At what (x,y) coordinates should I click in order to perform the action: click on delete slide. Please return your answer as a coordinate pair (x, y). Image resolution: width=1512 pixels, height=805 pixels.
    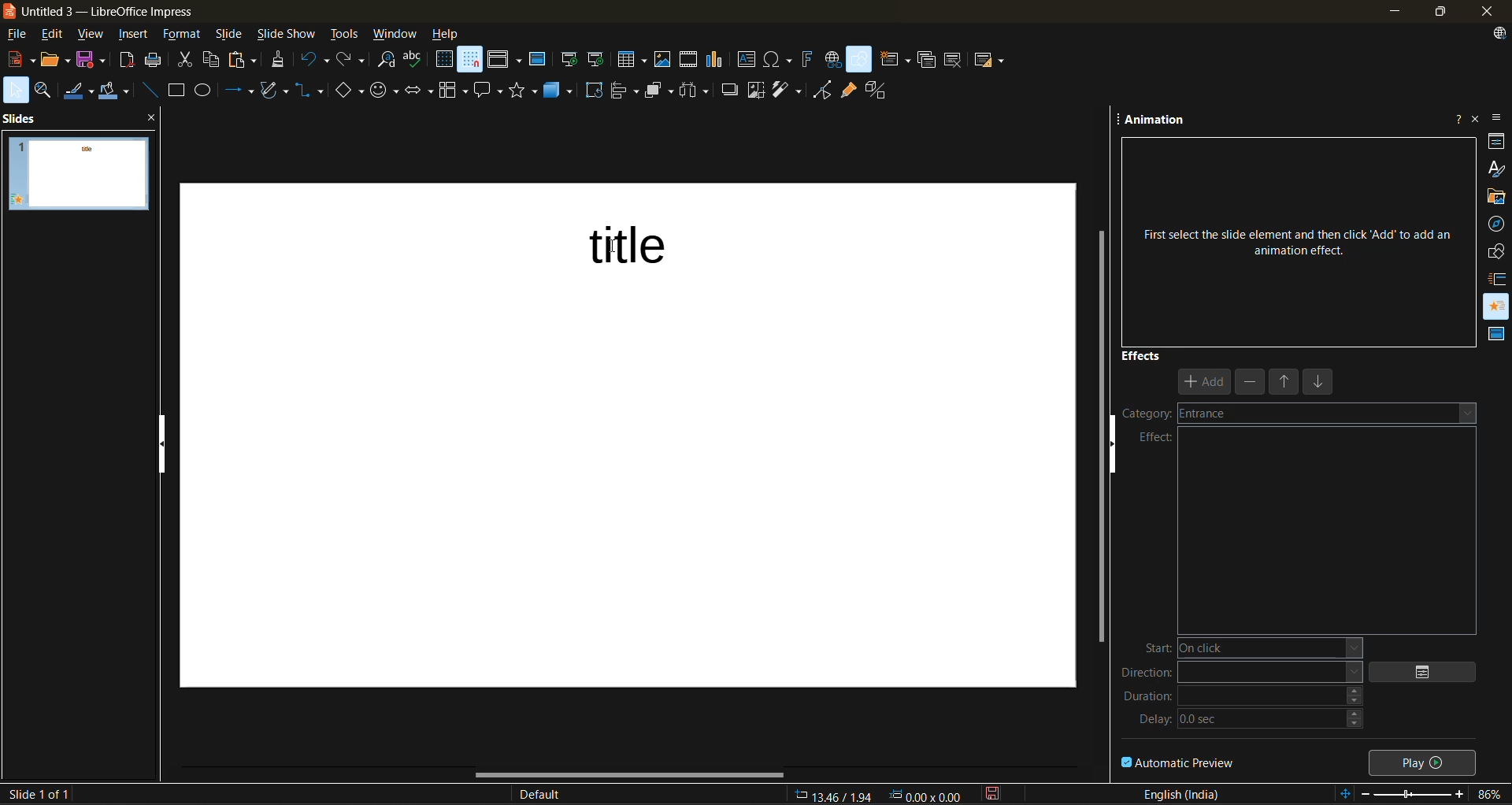
    Looking at the image, I should click on (955, 61).